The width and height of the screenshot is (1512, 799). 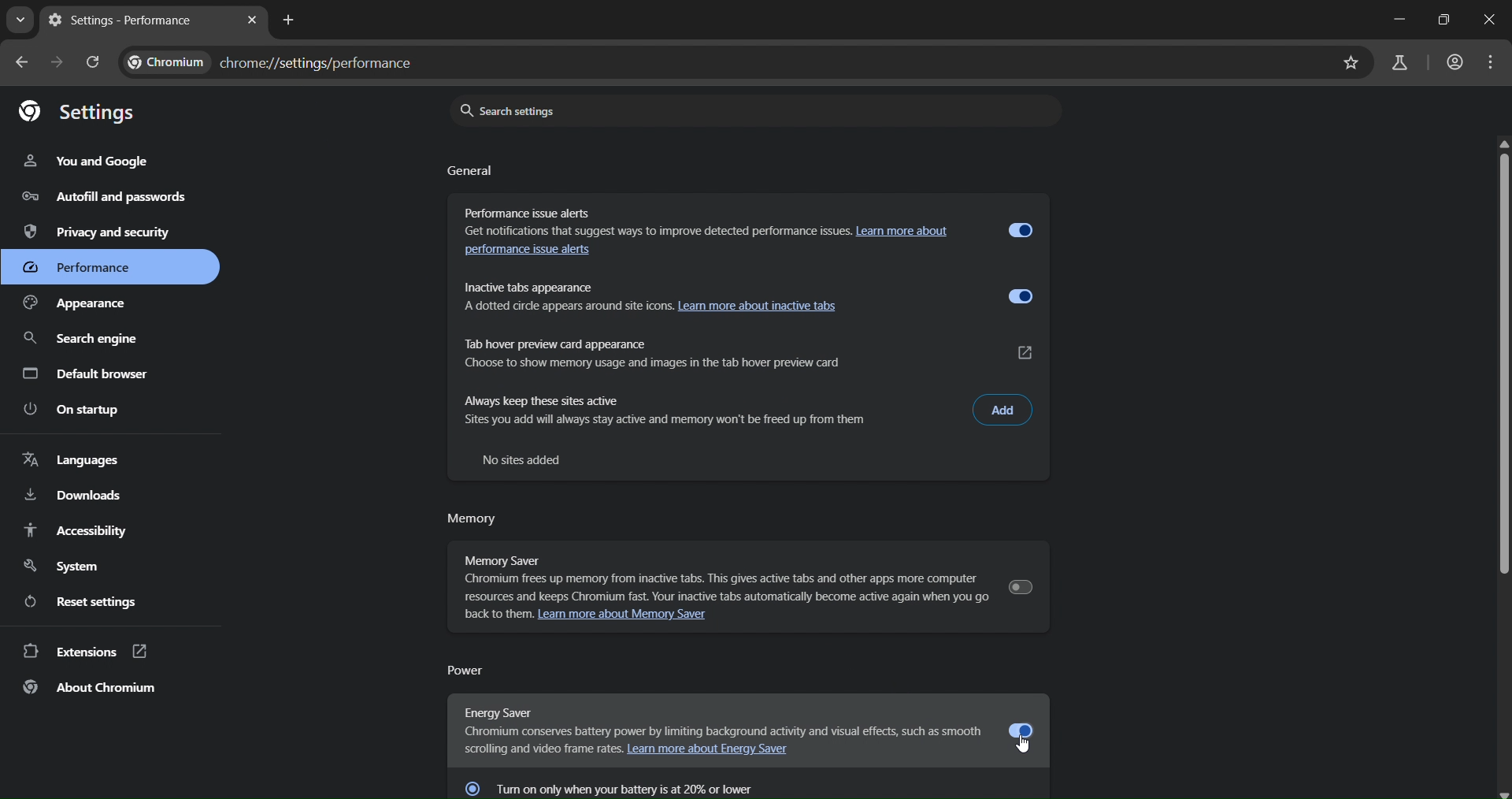 I want to click on extensions, so click(x=85, y=652).